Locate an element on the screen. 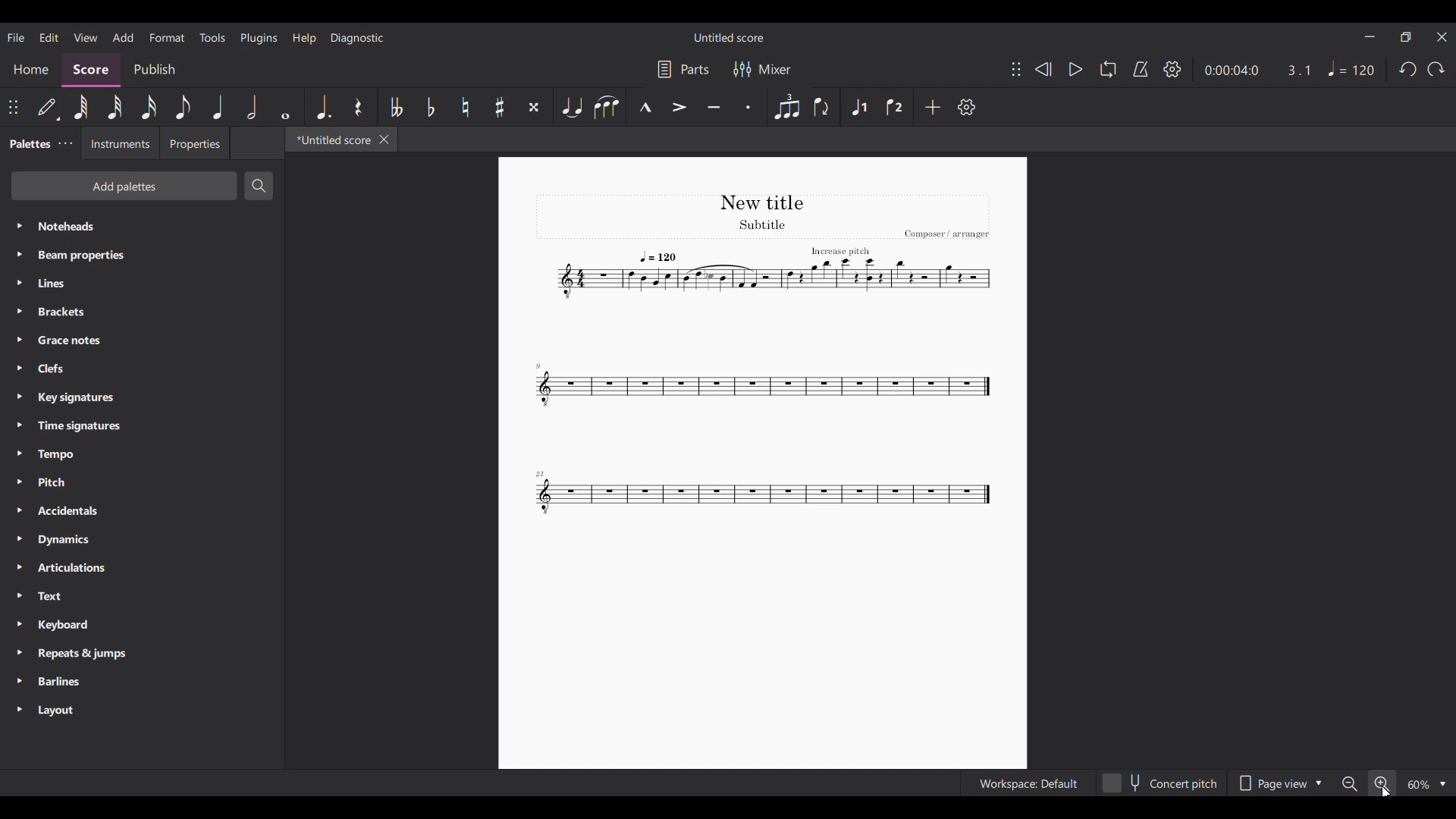 The width and height of the screenshot is (1456, 819). Tools menu is located at coordinates (212, 37).